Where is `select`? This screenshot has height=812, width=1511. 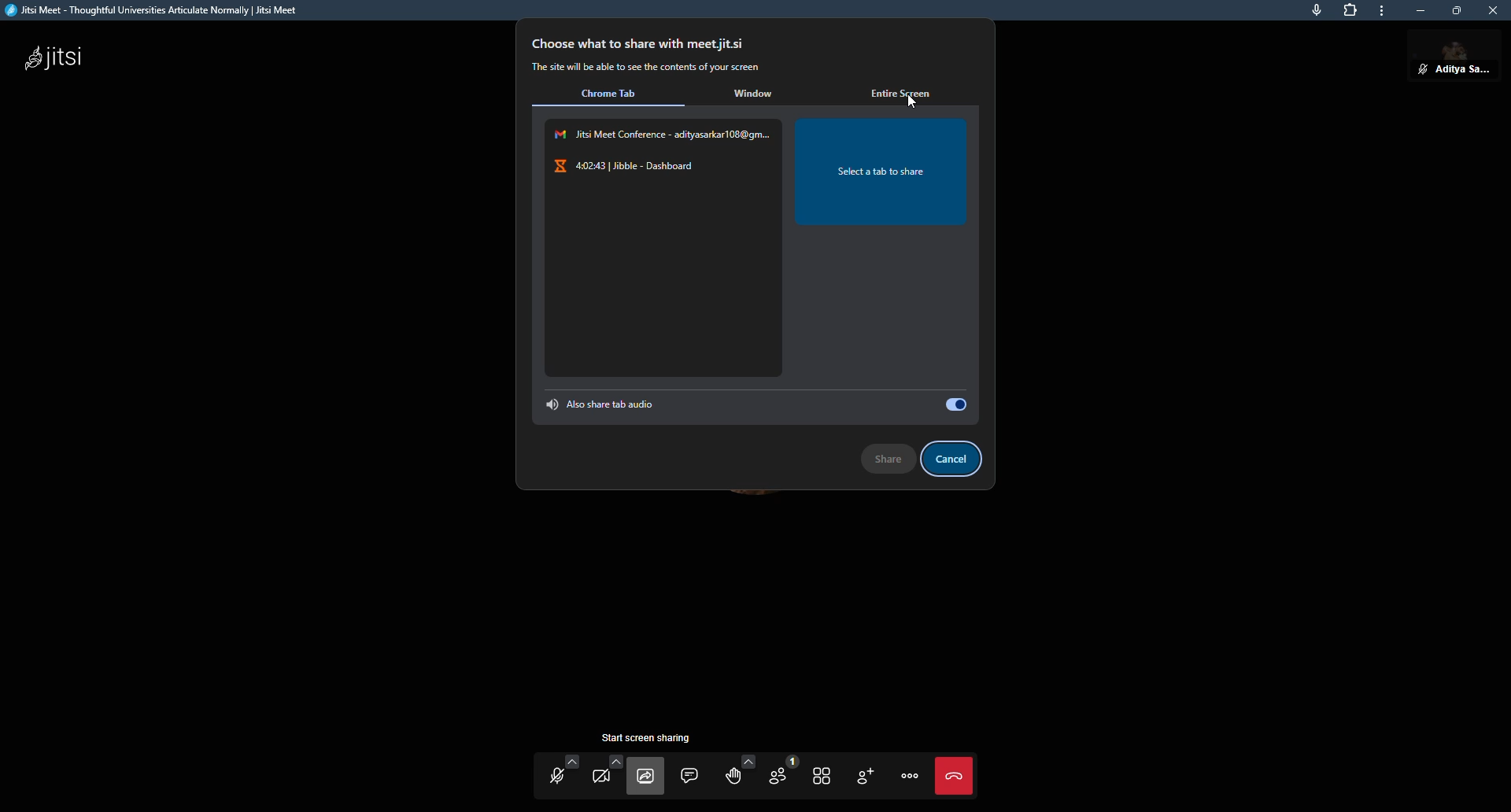 select is located at coordinates (953, 404).